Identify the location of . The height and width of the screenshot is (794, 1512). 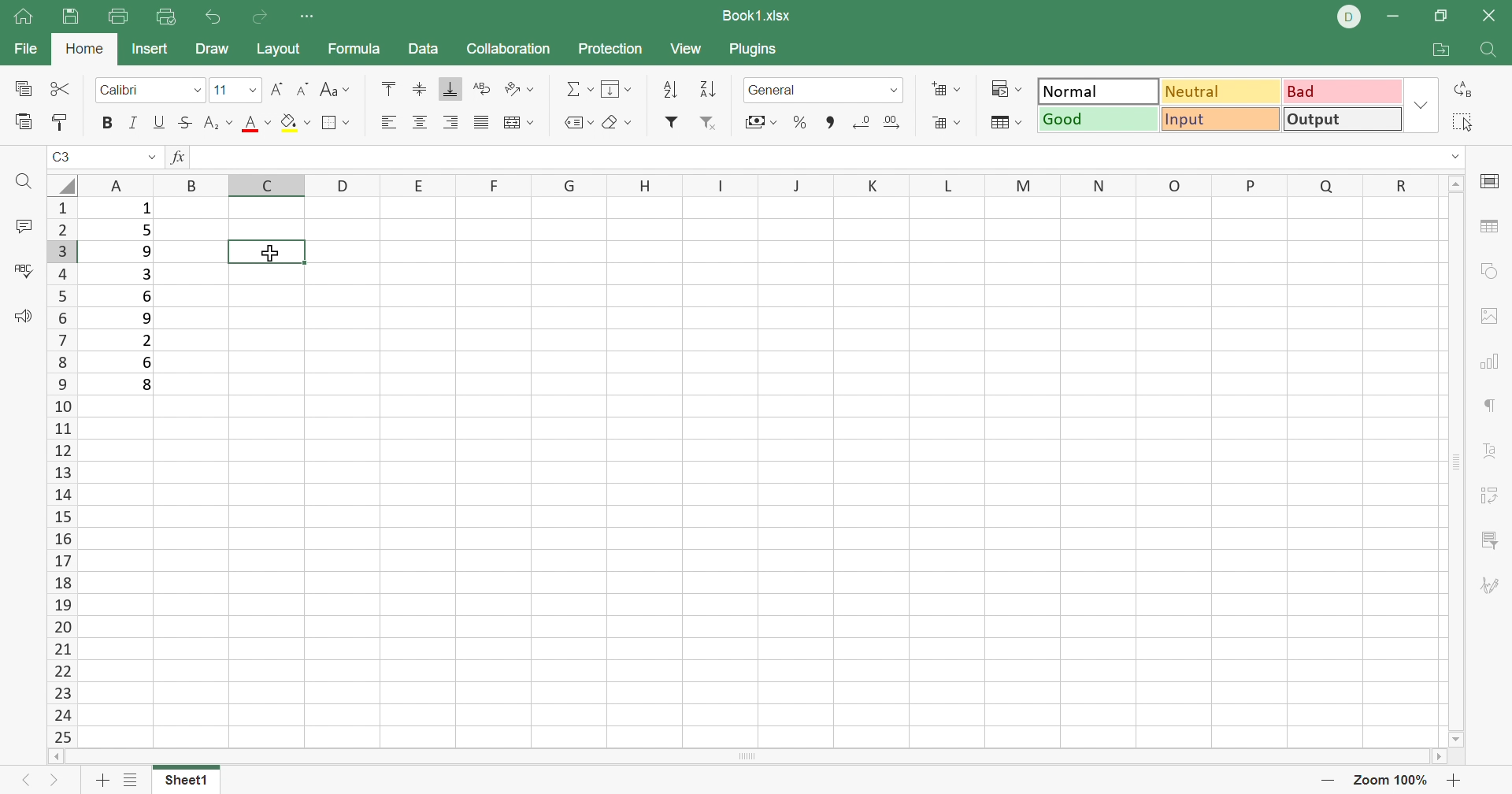
(146, 232).